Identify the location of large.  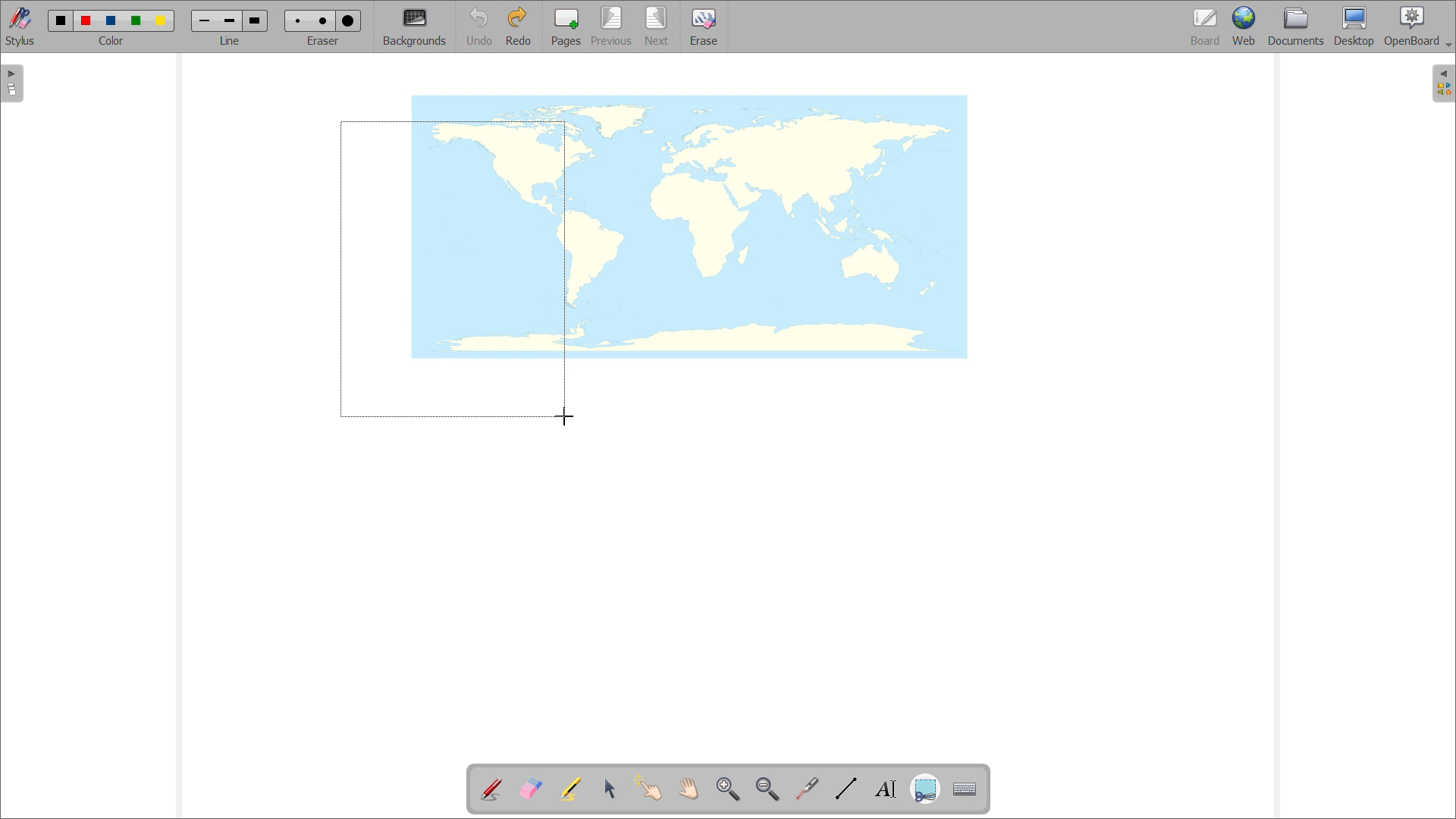
(347, 21).